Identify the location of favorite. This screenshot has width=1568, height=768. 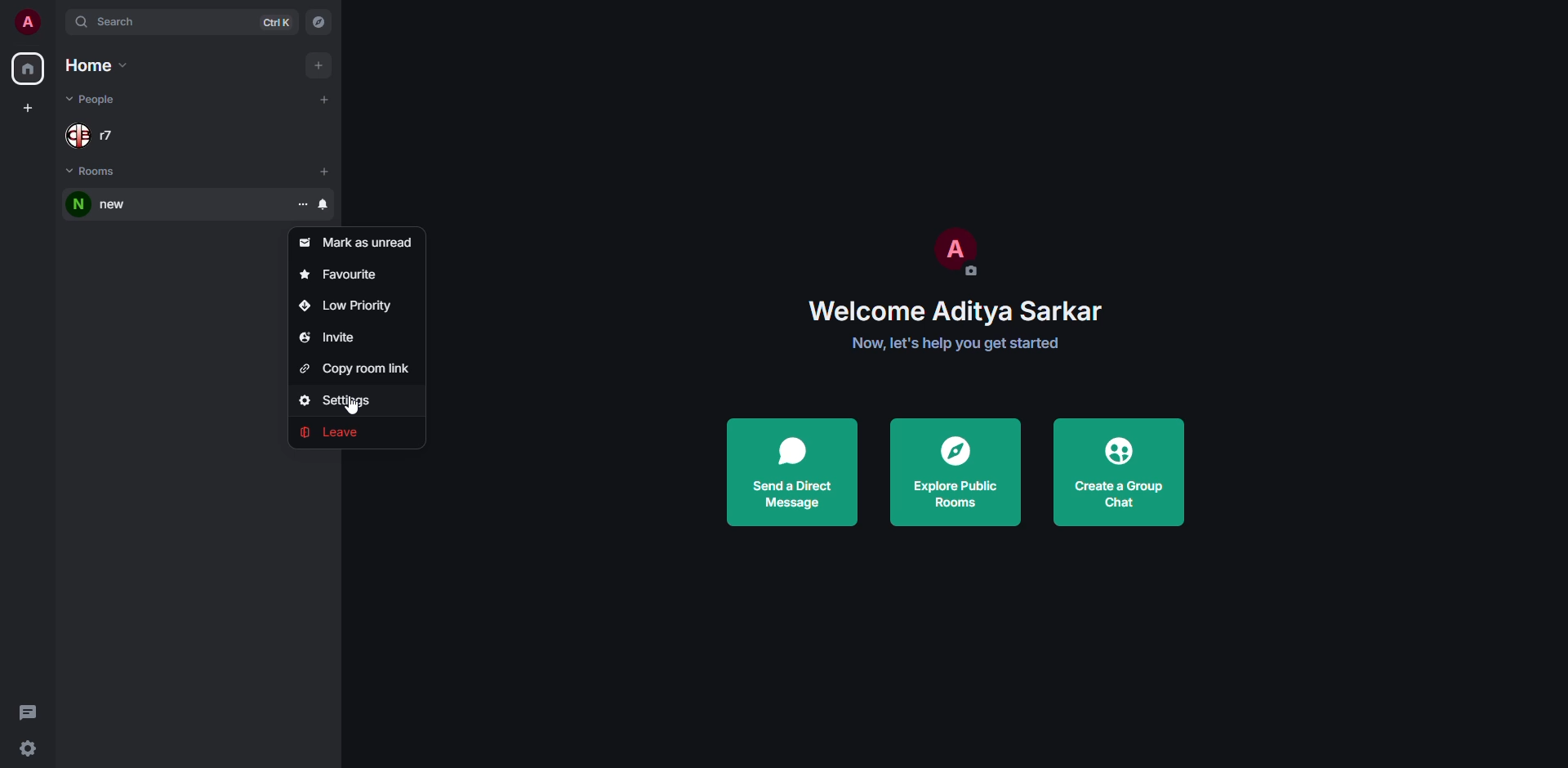
(341, 274).